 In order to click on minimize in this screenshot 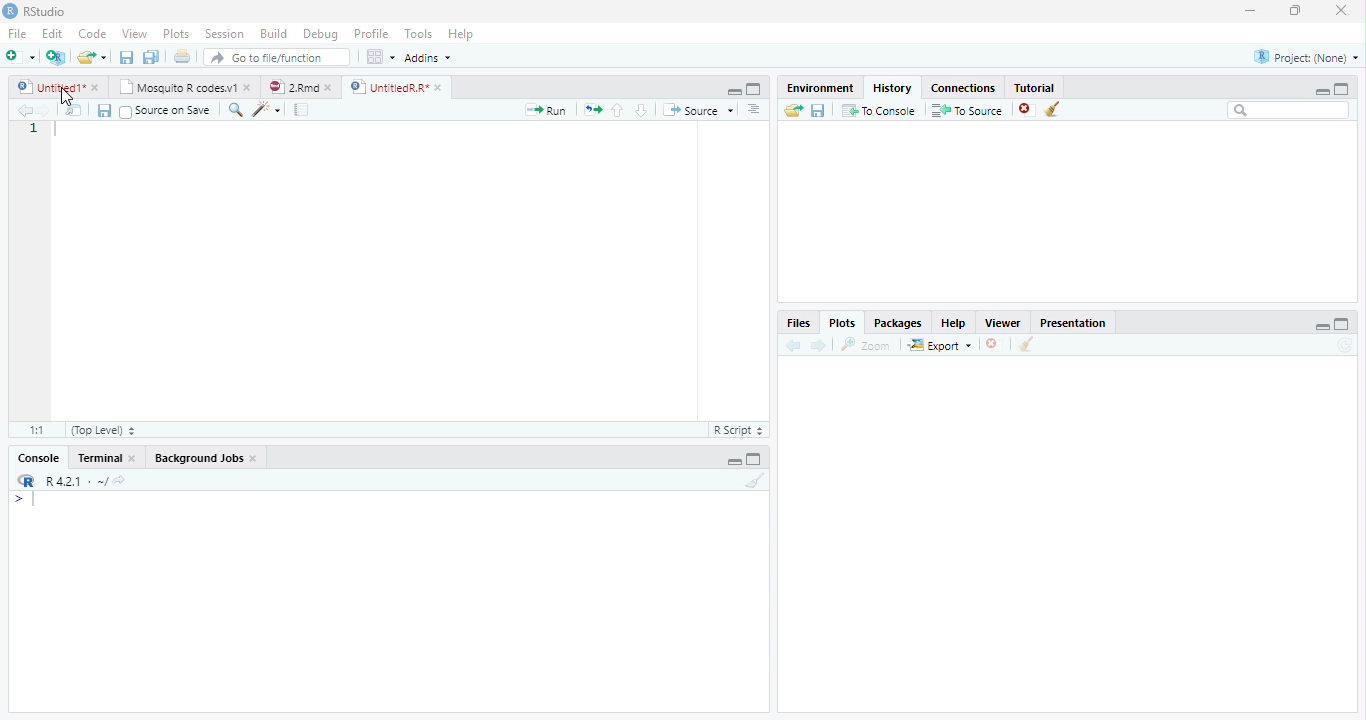, I will do `click(1249, 12)`.